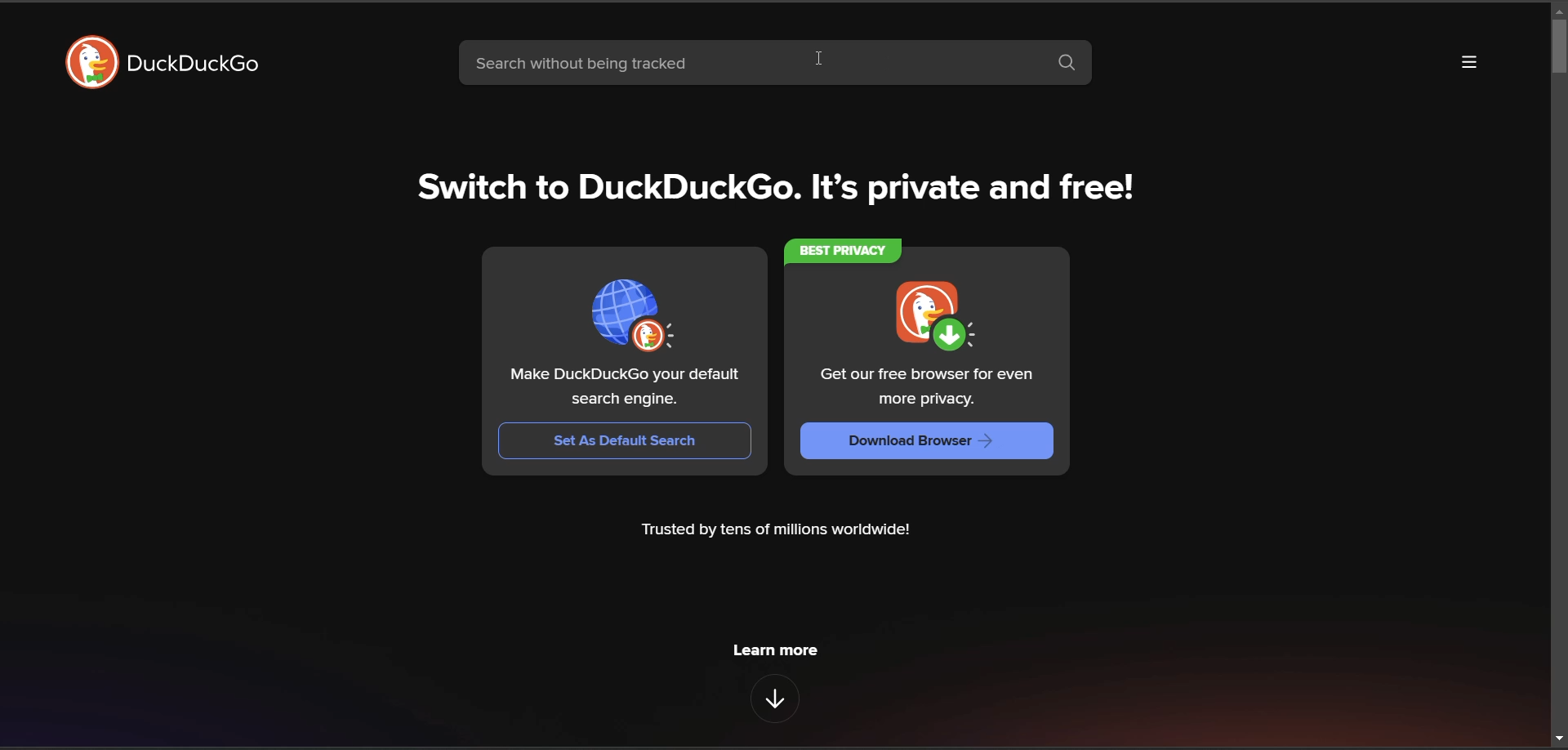 This screenshot has width=1568, height=750. What do you see at coordinates (775, 650) in the screenshot?
I see `learn more` at bounding box center [775, 650].